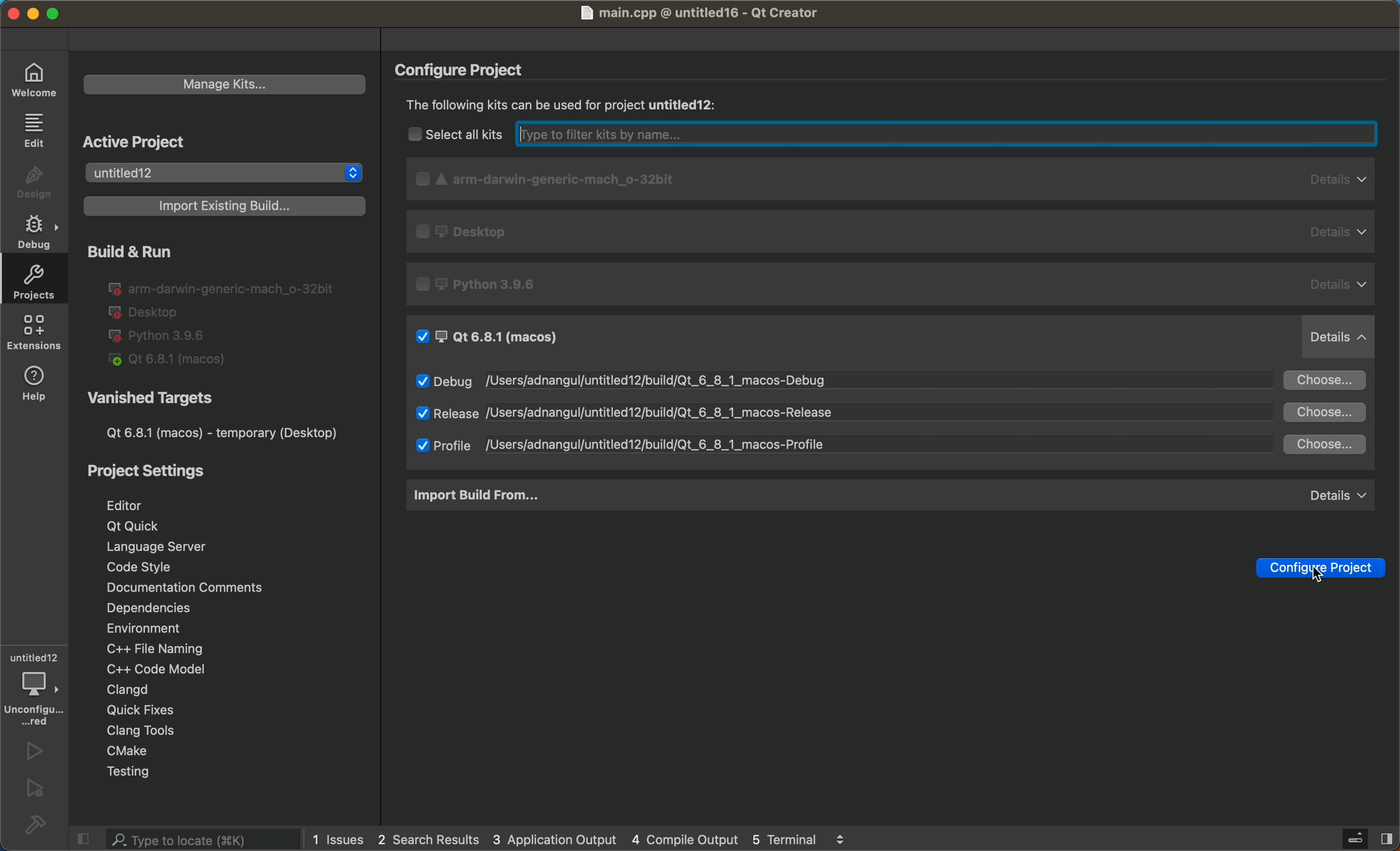  Describe the element at coordinates (221, 172) in the screenshot. I see `project list` at that location.